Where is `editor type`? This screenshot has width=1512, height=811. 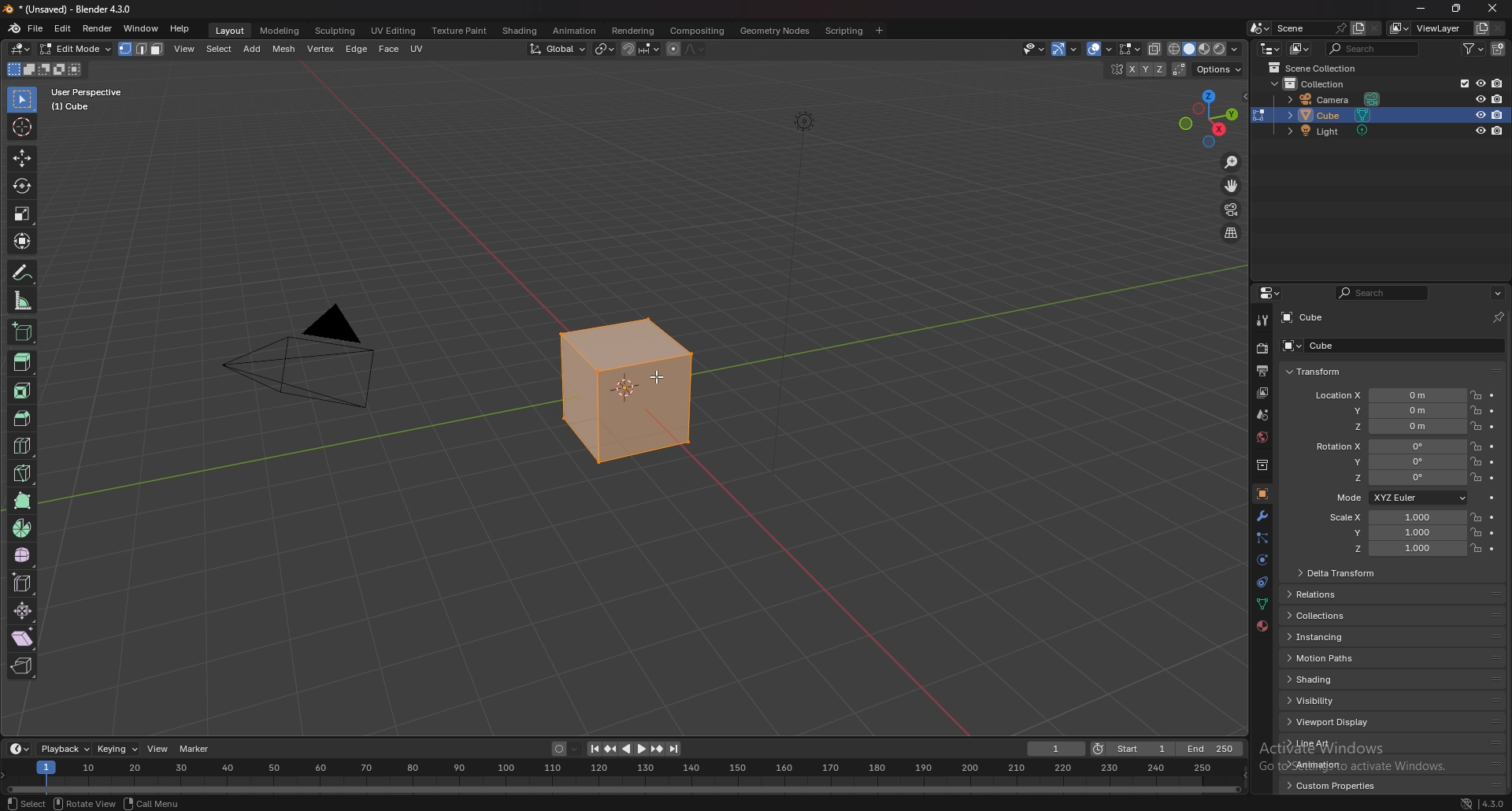 editor type is located at coordinates (1271, 48).